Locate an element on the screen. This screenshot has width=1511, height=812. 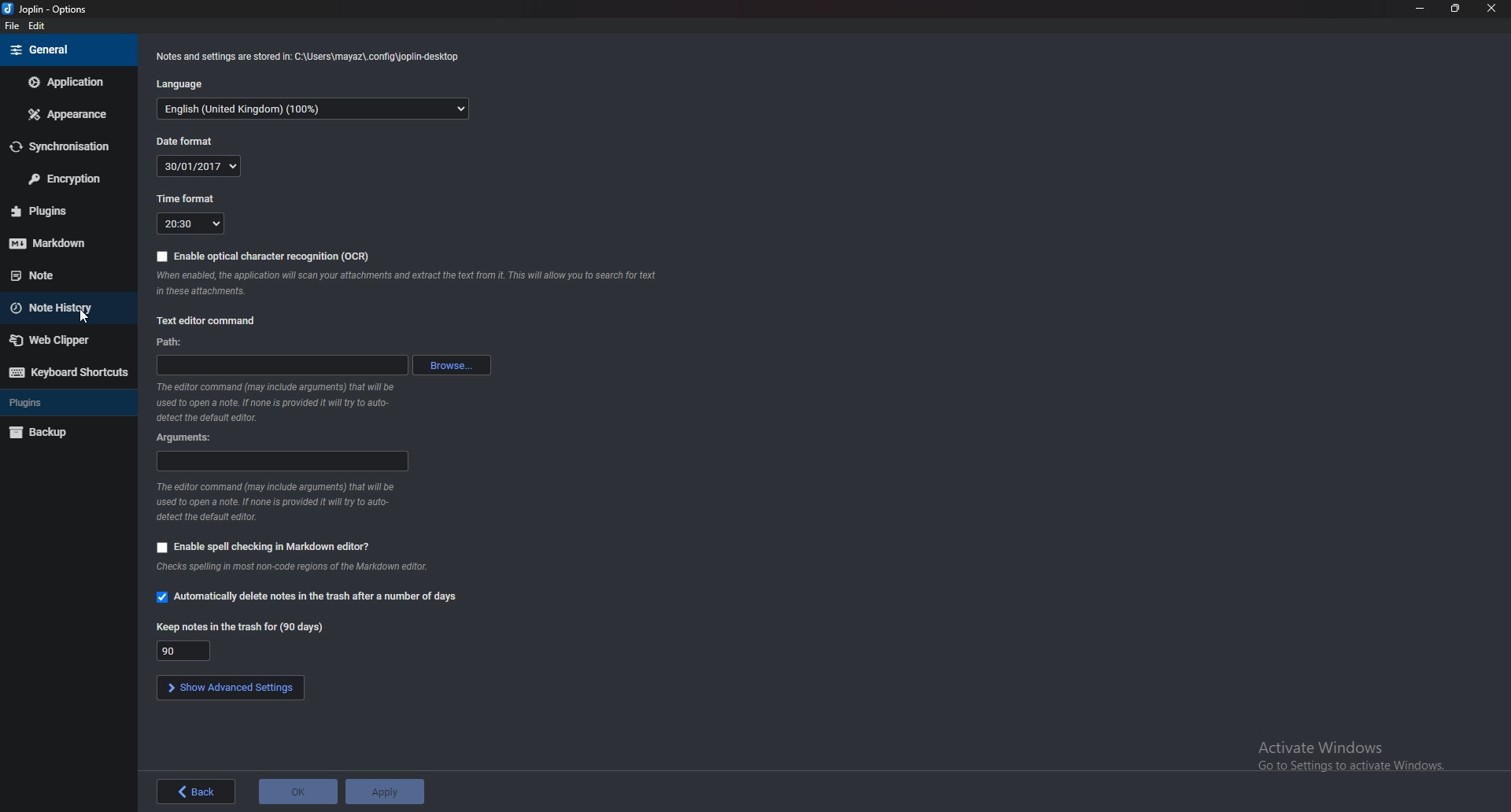
Appearance is located at coordinates (70, 114).